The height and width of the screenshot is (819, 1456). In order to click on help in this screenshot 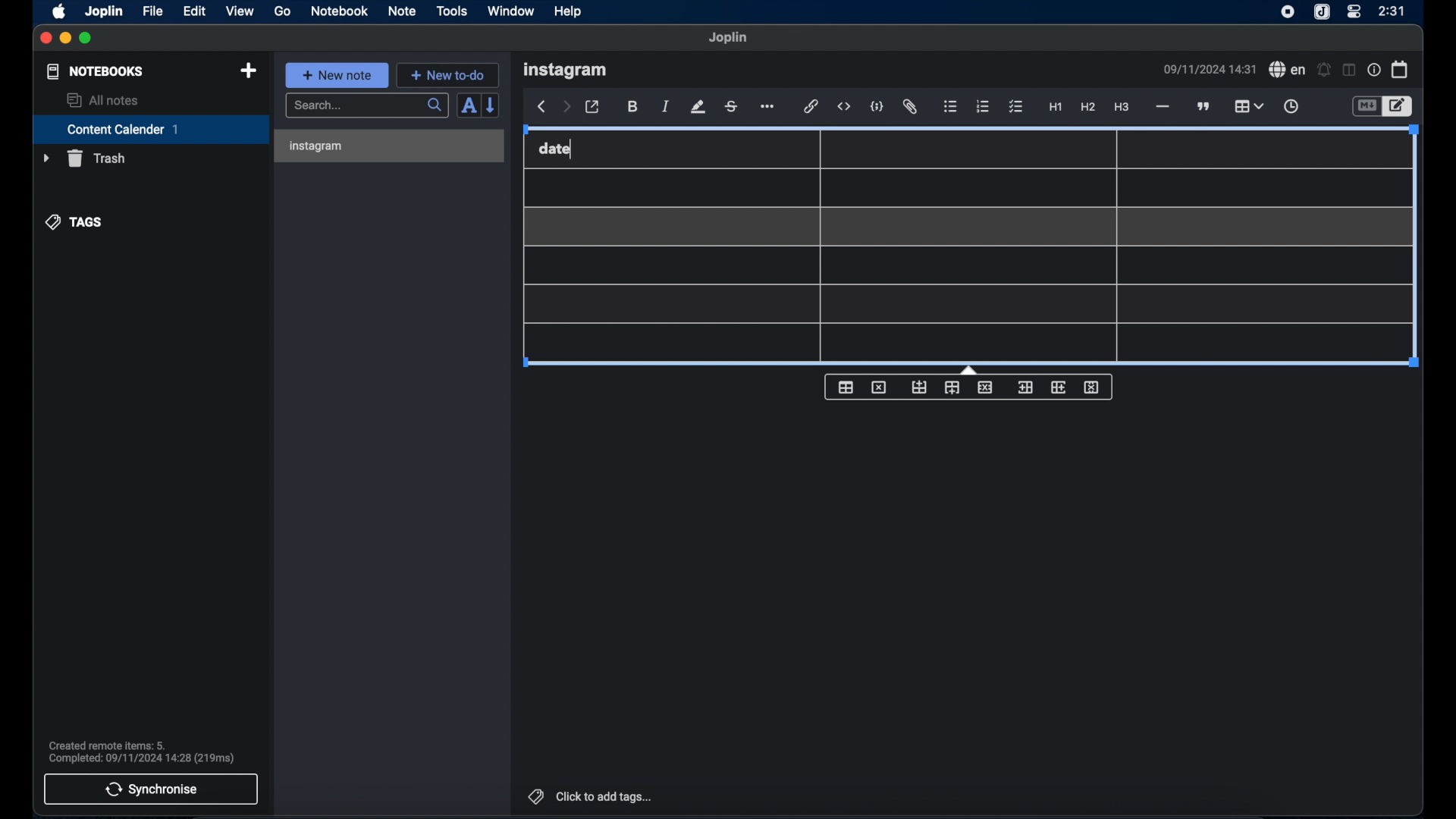, I will do `click(570, 12)`.